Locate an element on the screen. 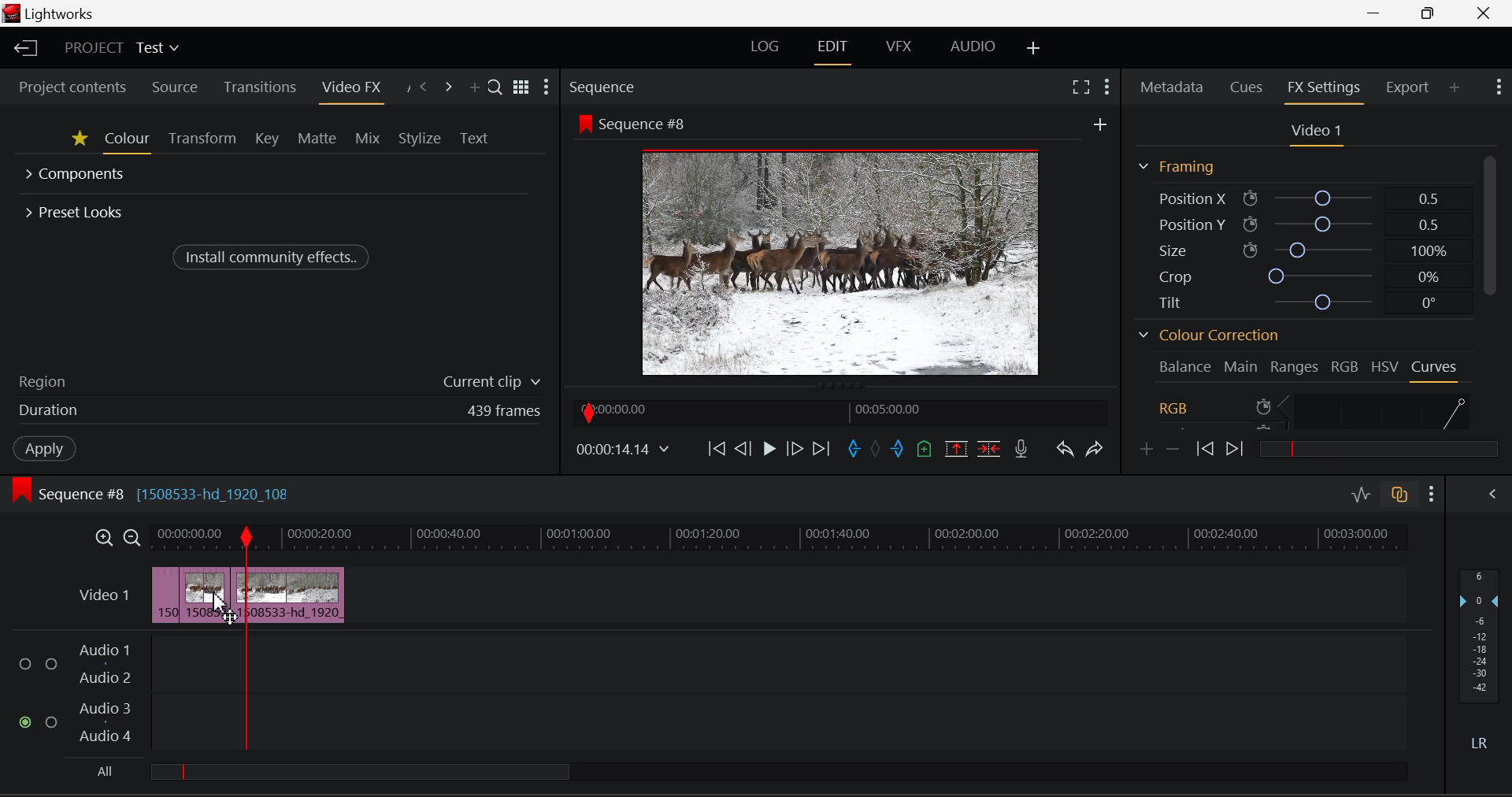 This screenshot has width=1512, height=797. Components Section is located at coordinates (77, 176).